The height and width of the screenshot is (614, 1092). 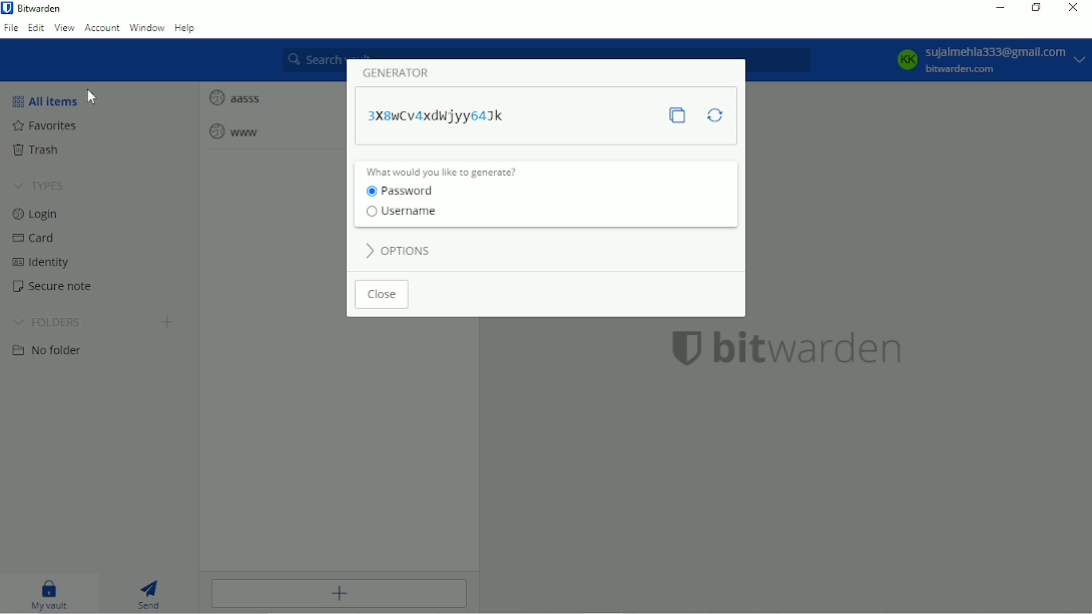 What do you see at coordinates (399, 251) in the screenshot?
I see `Options` at bounding box center [399, 251].